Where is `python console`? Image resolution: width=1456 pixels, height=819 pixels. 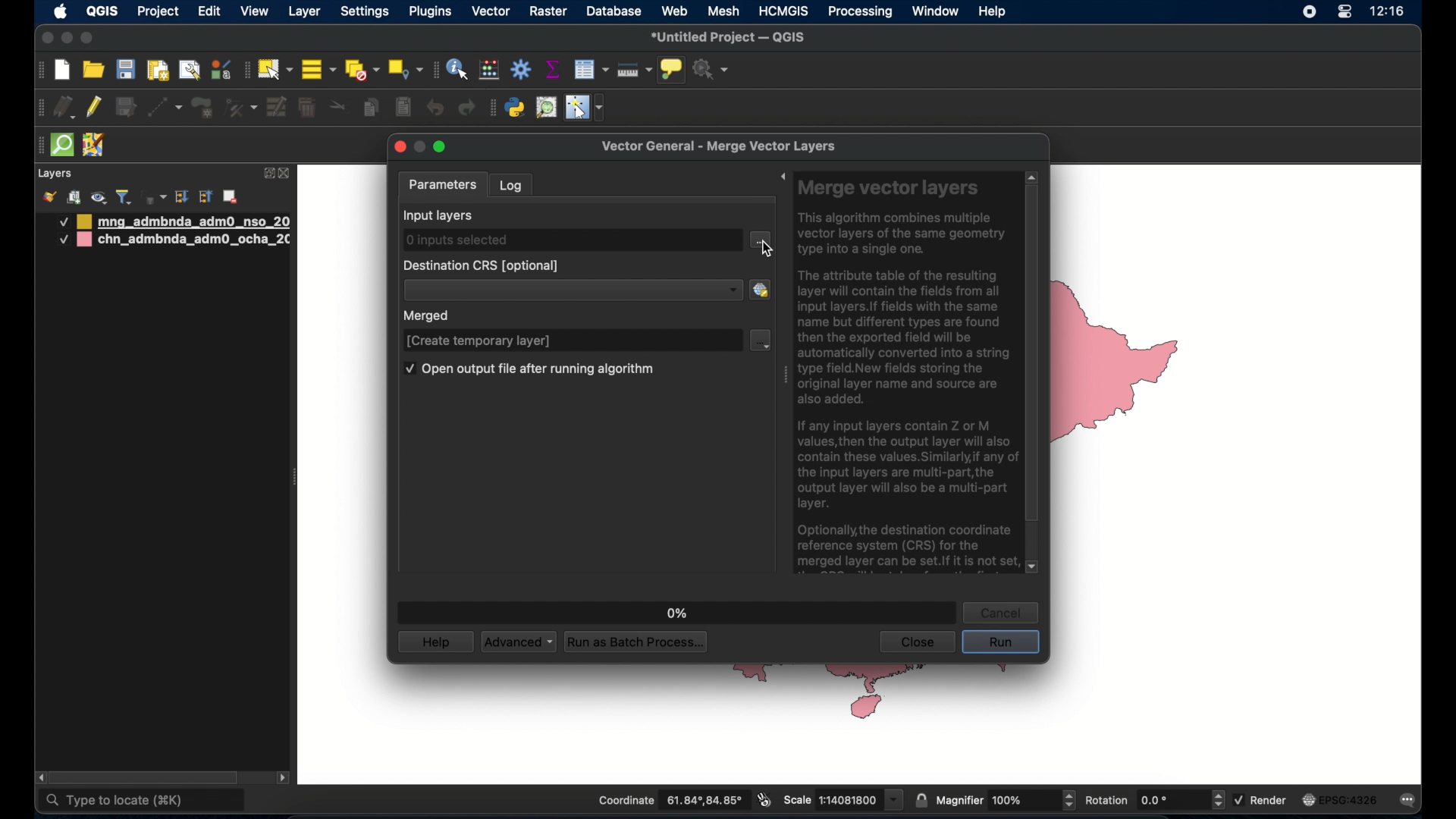
python console is located at coordinates (516, 108).